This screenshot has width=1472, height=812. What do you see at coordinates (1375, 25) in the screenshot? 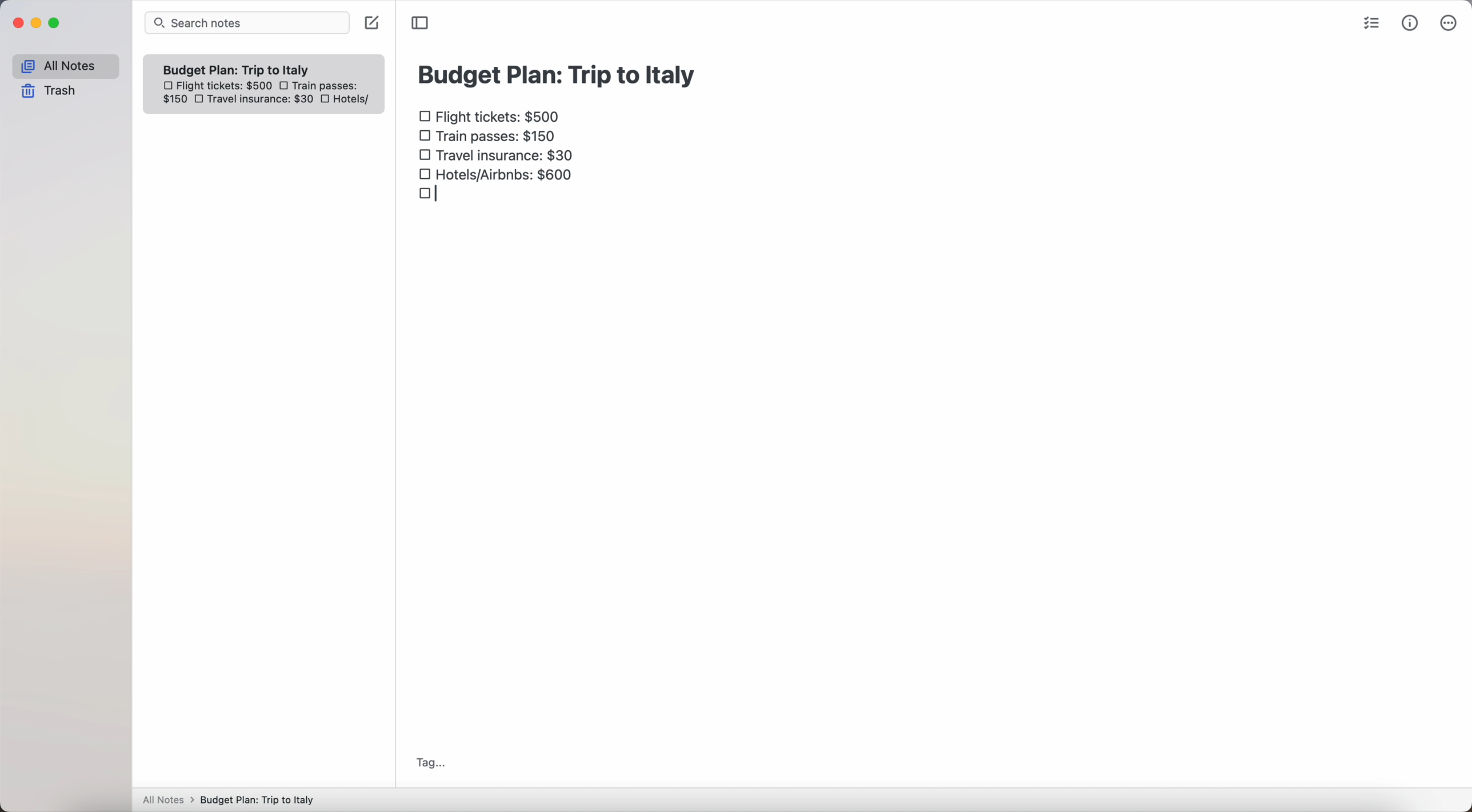
I see `check list` at bounding box center [1375, 25].